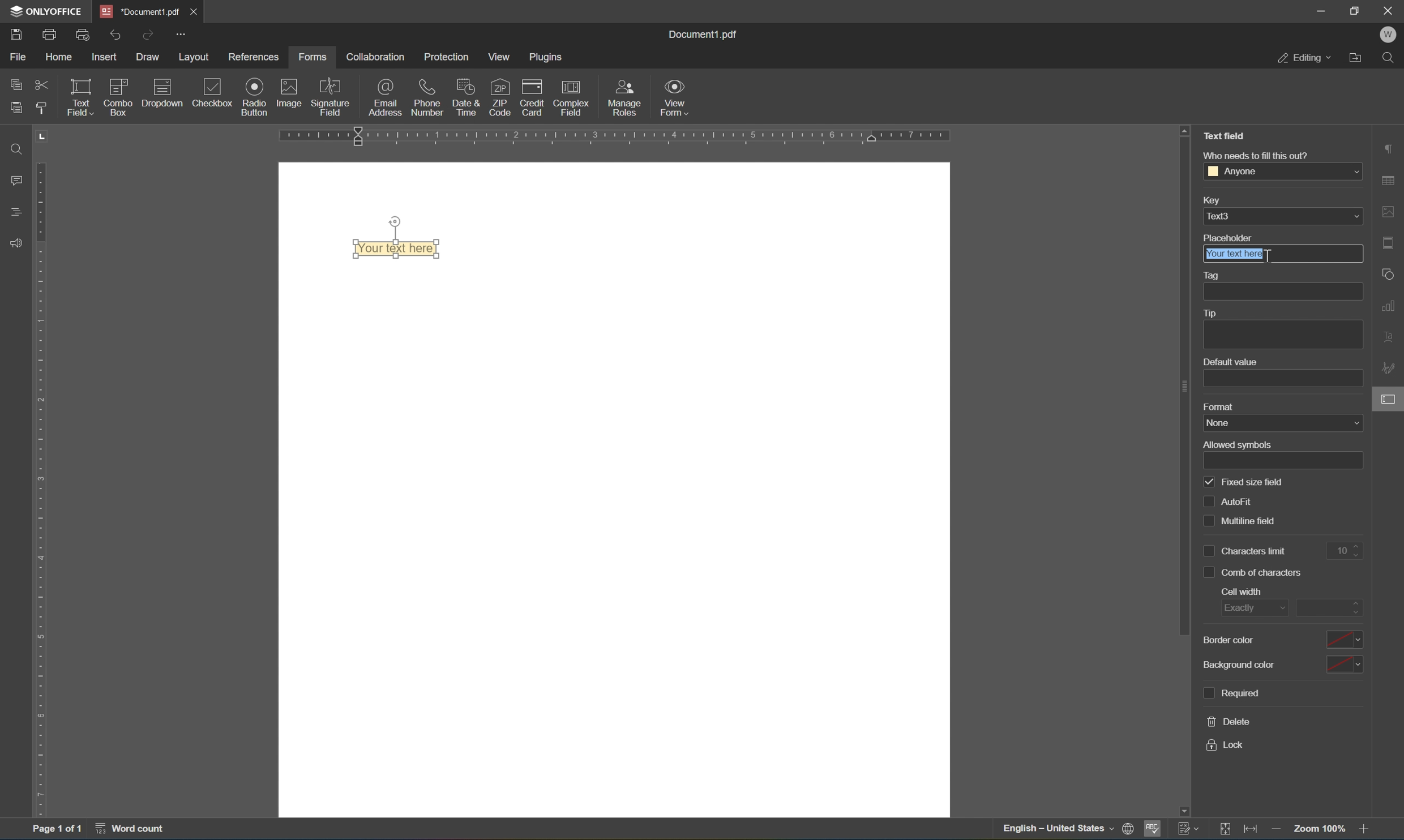 This screenshot has width=1404, height=840. I want to click on zoom out, so click(1277, 832).